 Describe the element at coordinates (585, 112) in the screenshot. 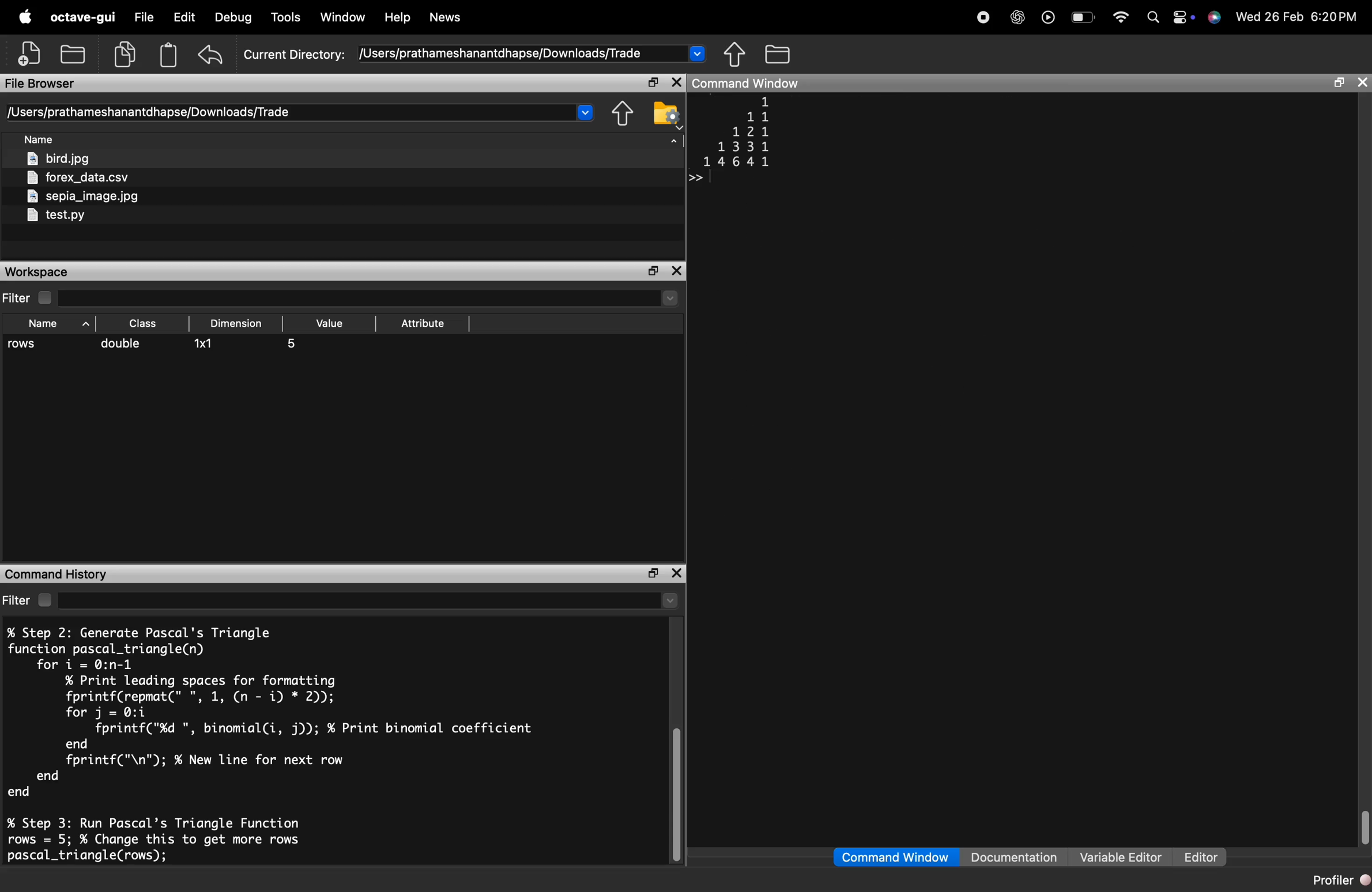

I see `dropdown` at that location.